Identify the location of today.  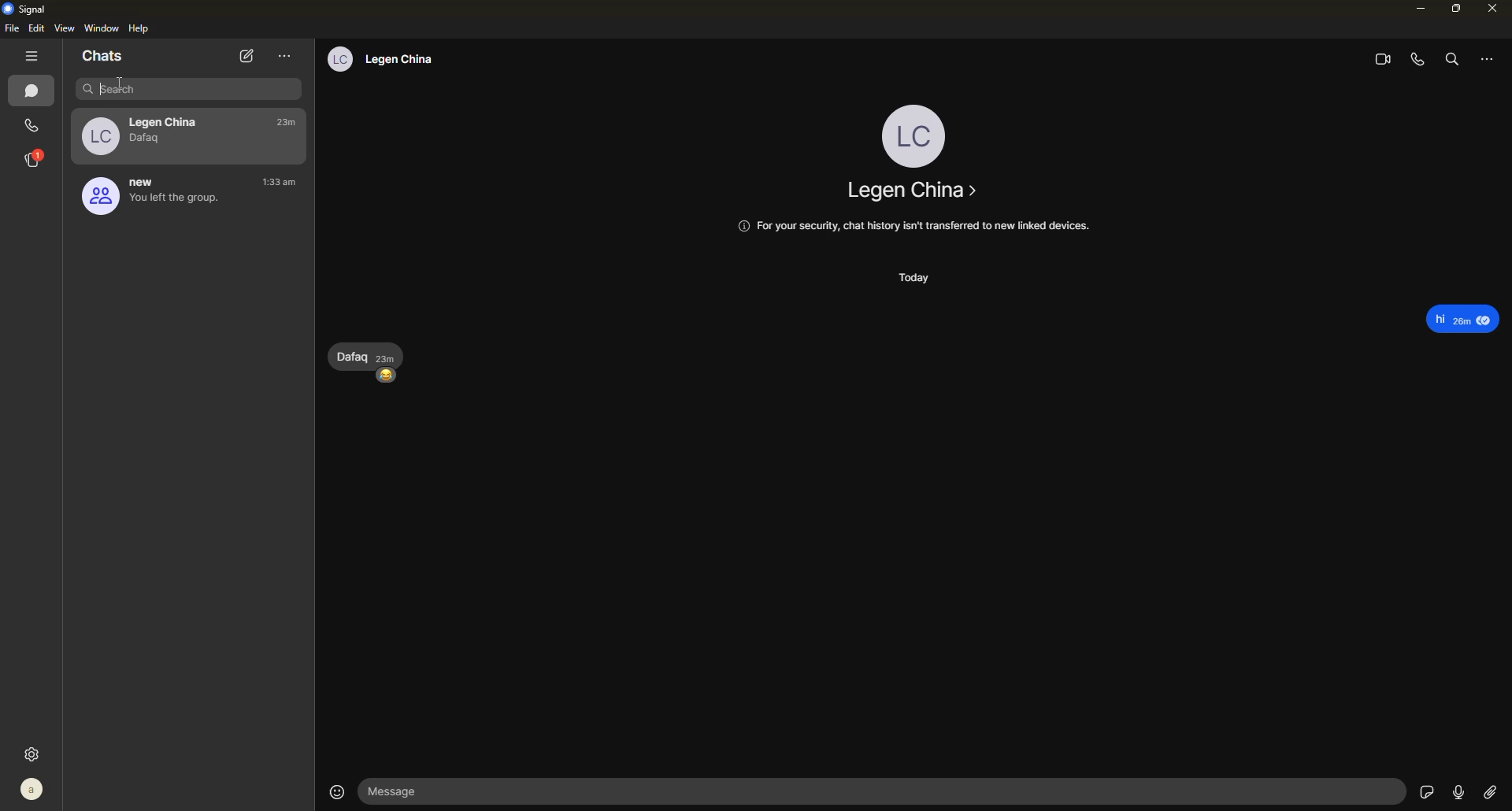
(914, 277).